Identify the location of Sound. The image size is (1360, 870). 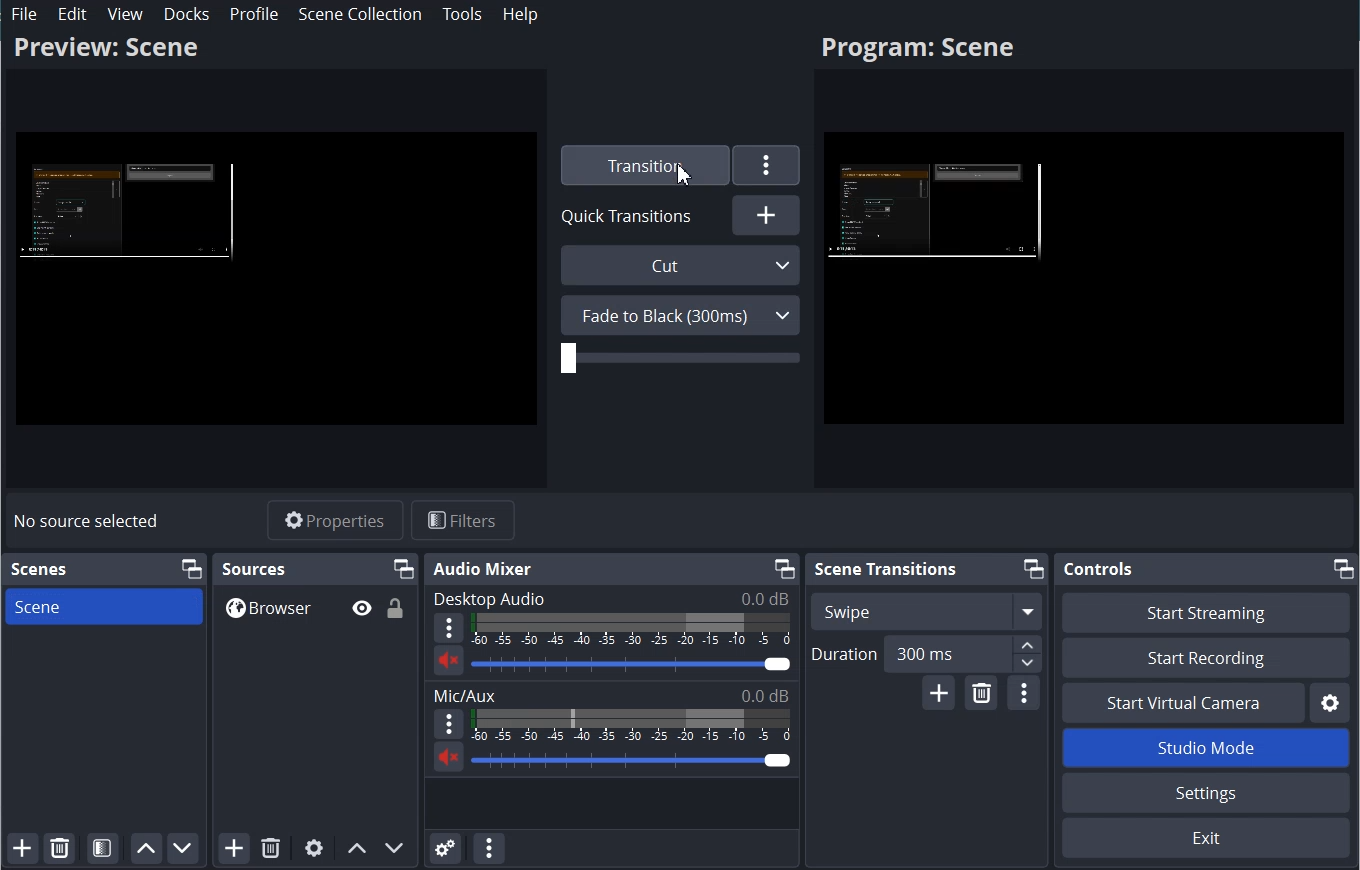
(448, 756).